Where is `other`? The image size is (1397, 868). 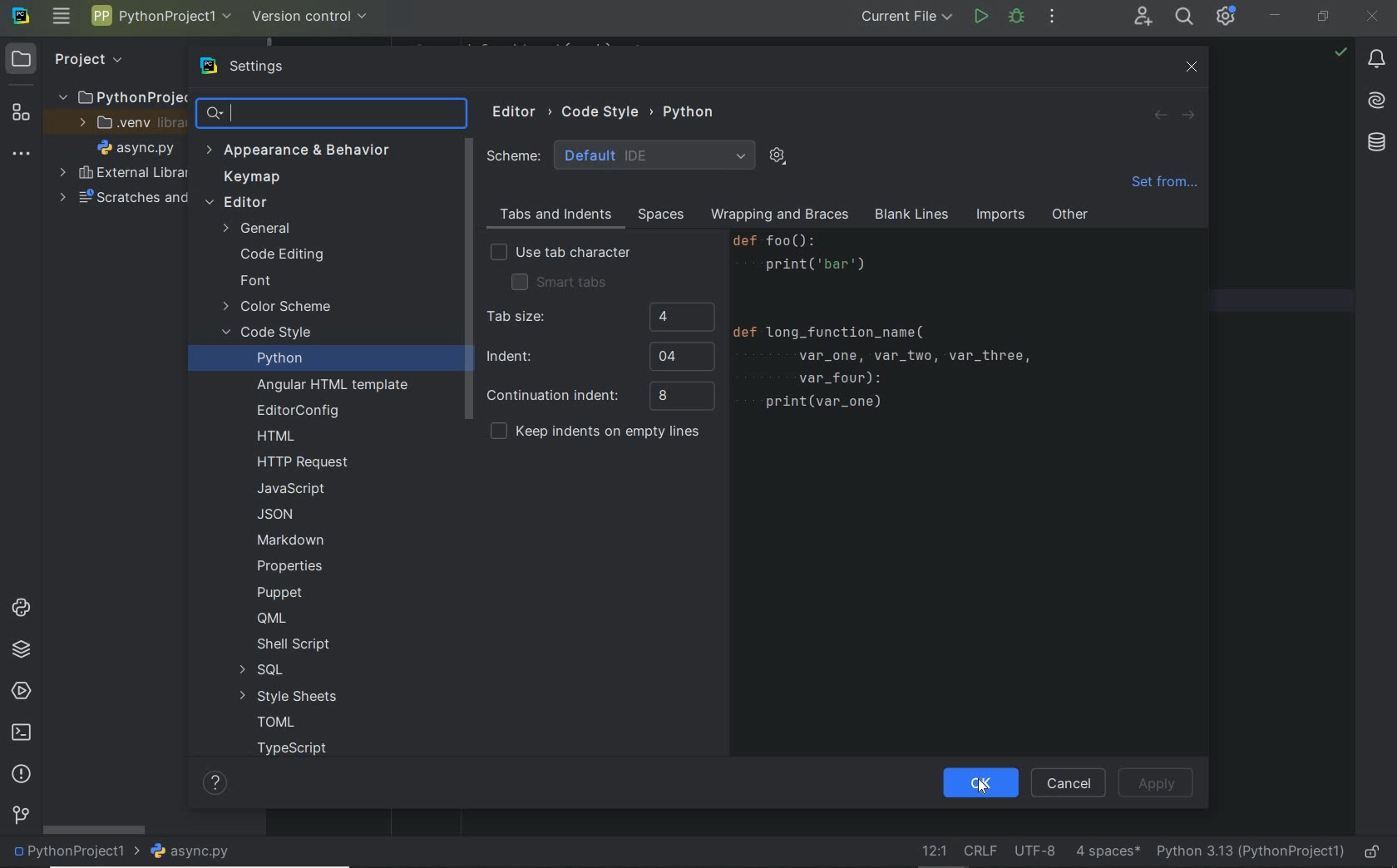 other is located at coordinates (1070, 218).